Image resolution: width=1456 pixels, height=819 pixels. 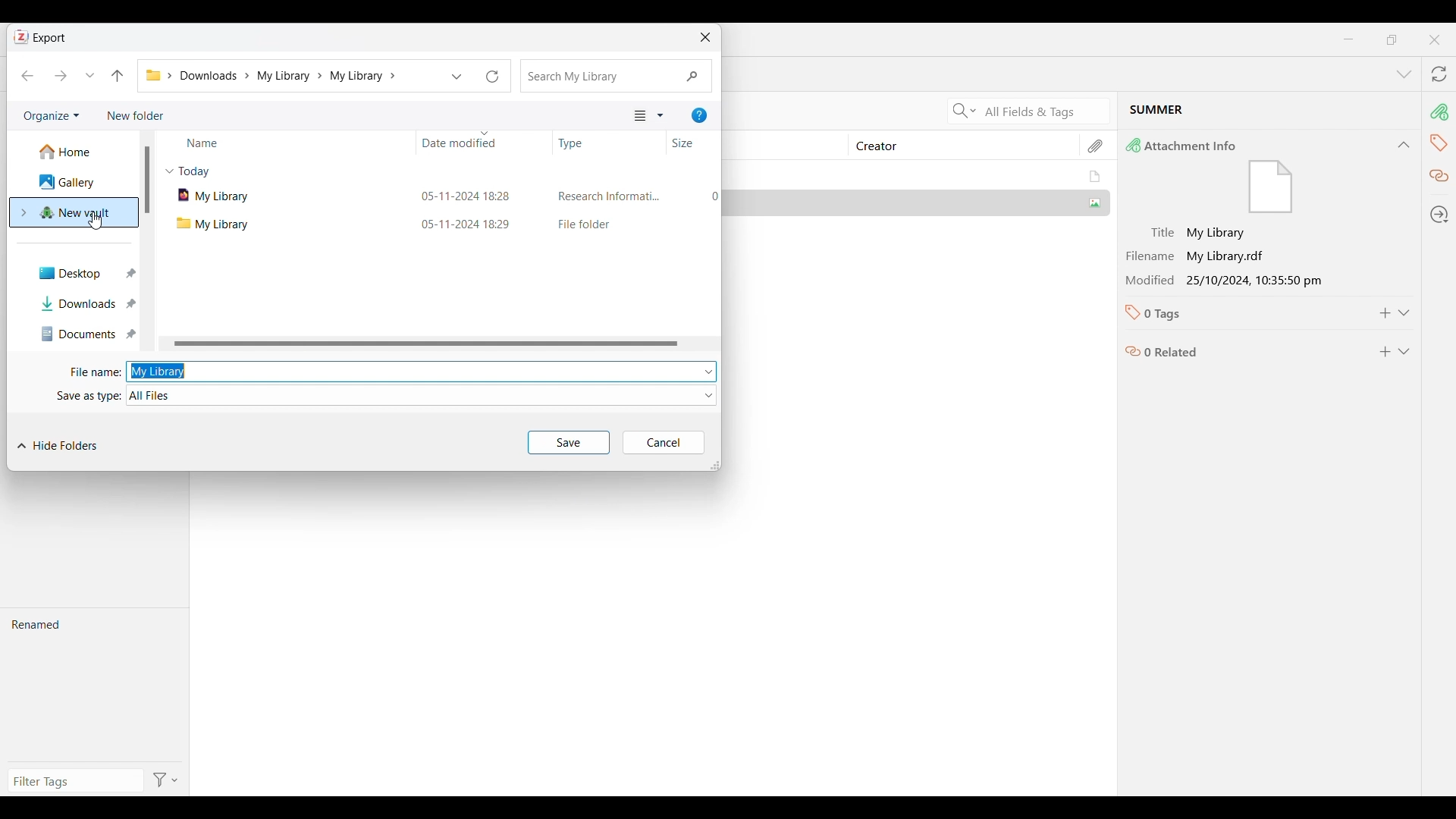 What do you see at coordinates (80, 303) in the screenshot?
I see `Downloads ` at bounding box center [80, 303].